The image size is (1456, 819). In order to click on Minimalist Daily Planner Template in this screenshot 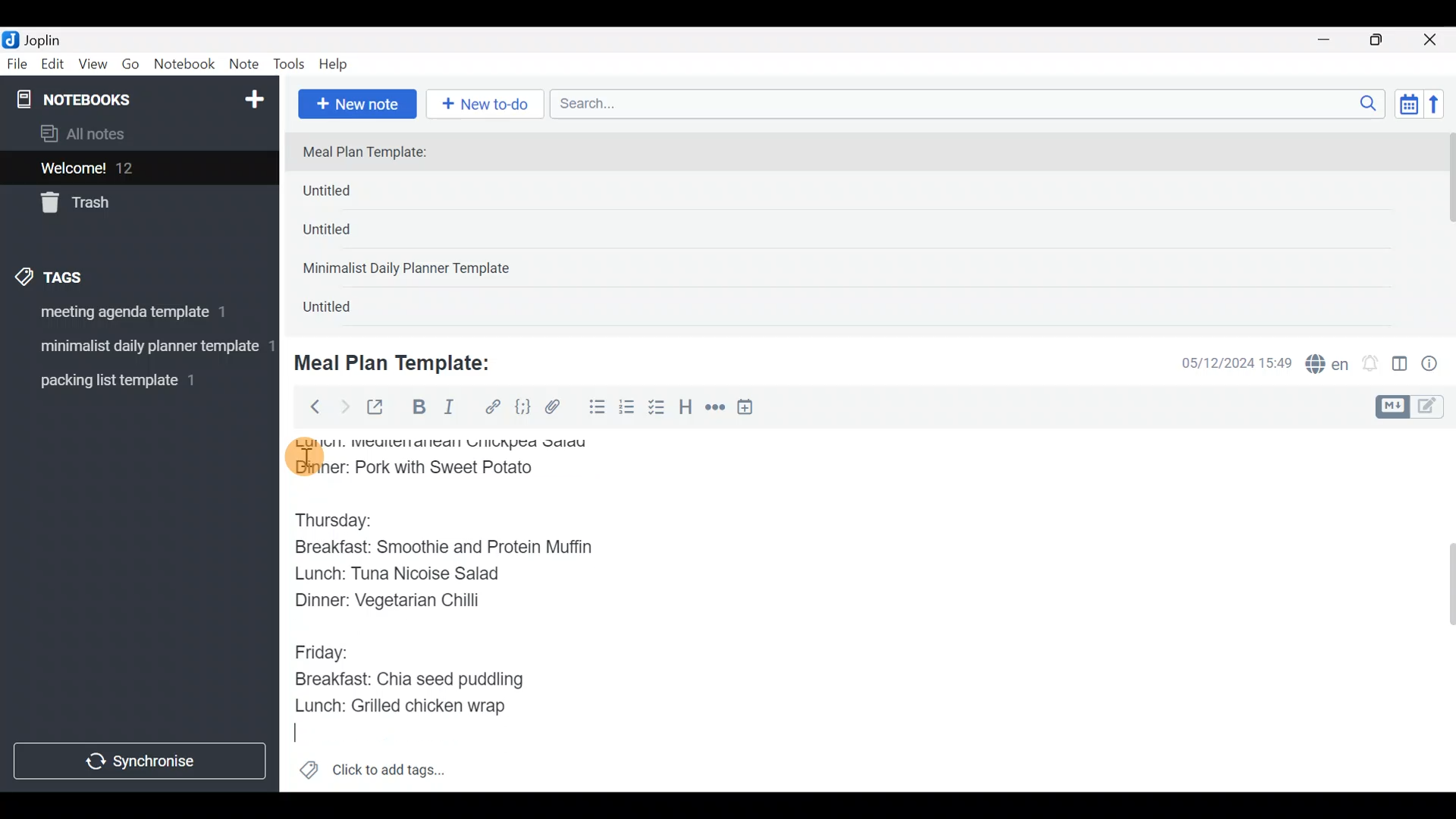, I will do `click(411, 270)`.